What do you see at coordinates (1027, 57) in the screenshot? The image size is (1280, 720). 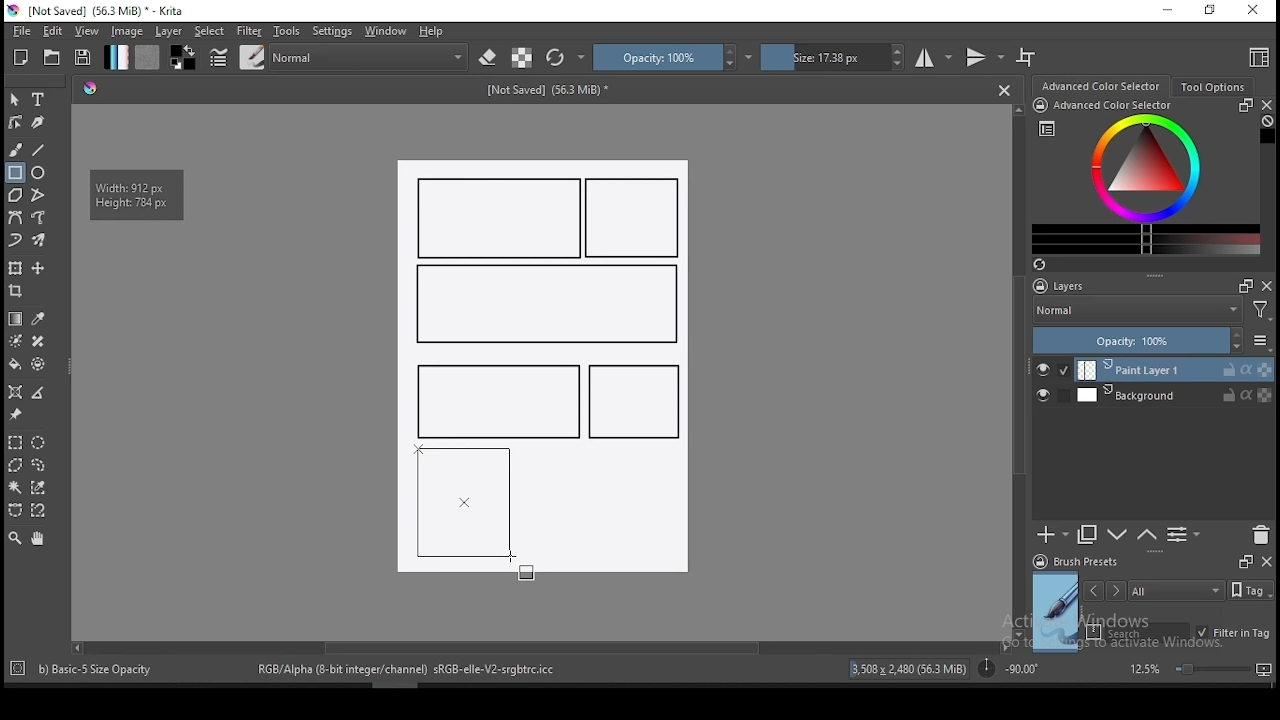 I see `wrap around mode` at bounding box center [1027, 57].